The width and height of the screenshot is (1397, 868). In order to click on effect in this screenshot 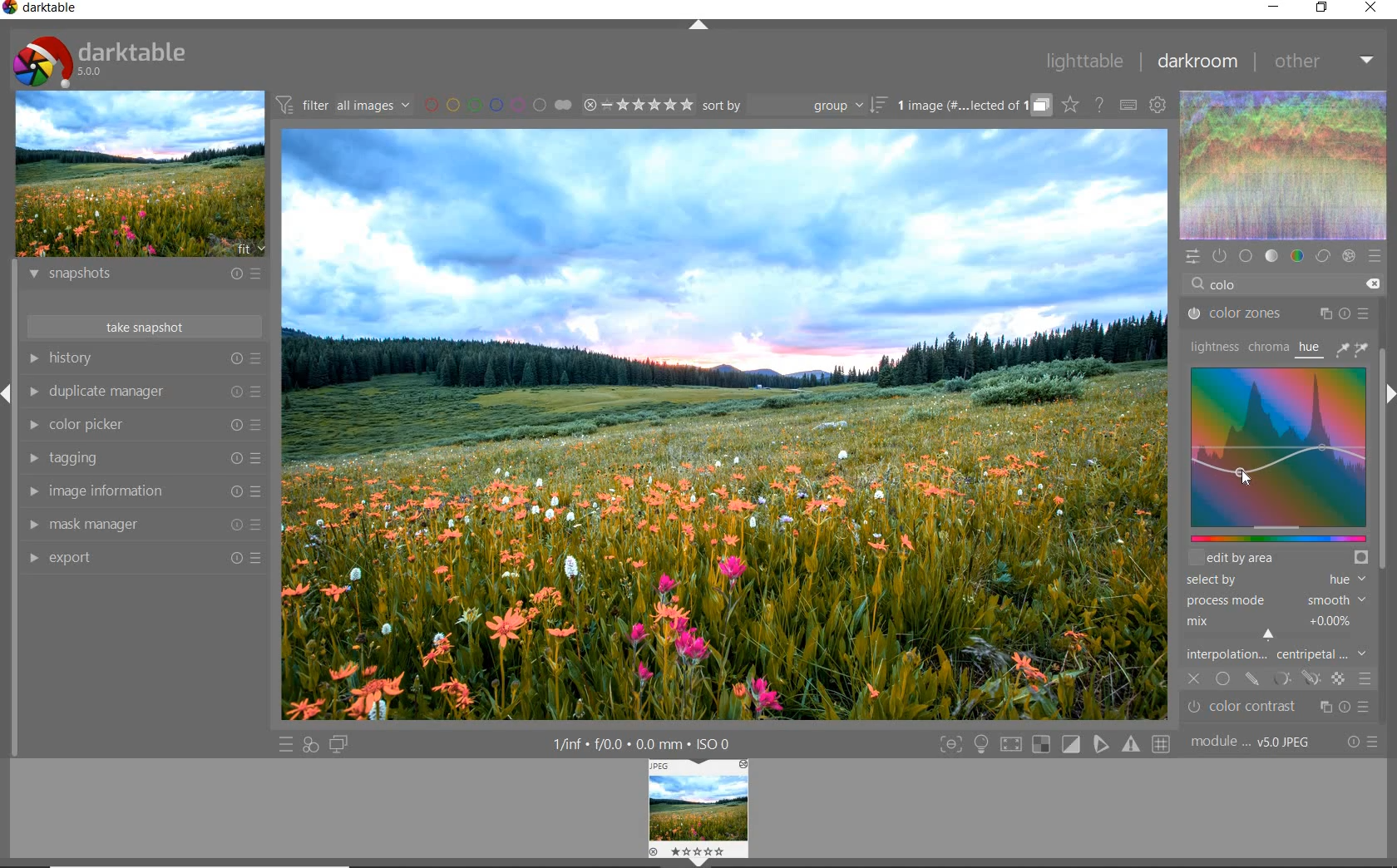, I will do `click(1348, 257)`.